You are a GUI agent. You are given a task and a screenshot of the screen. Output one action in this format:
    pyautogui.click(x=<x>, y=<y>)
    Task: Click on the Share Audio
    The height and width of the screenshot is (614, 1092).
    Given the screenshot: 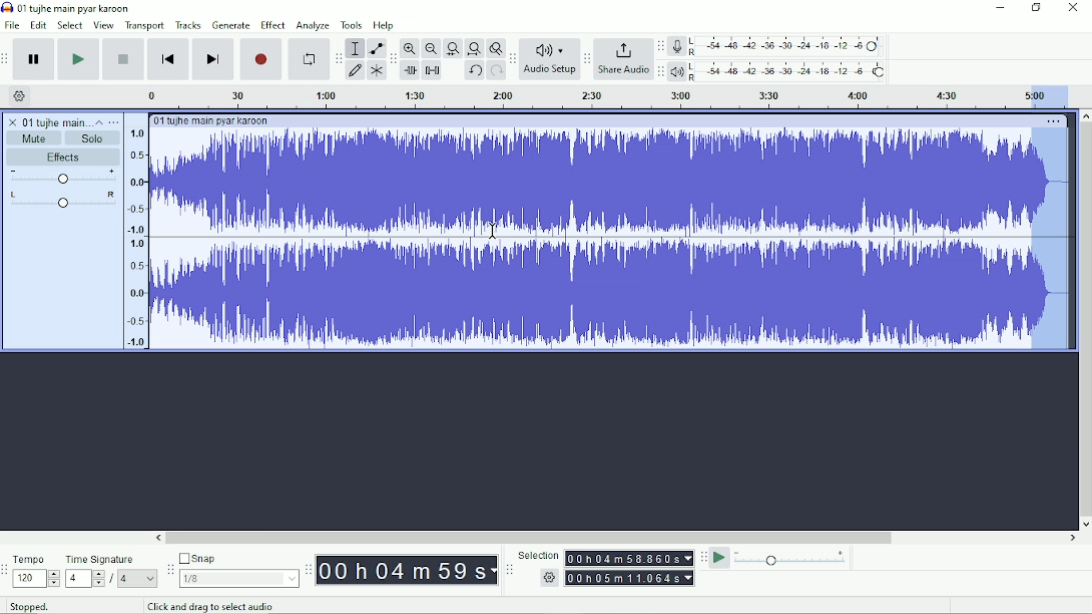 What is the action you would take?
    pyautogui.click(x=624, y=58)
    